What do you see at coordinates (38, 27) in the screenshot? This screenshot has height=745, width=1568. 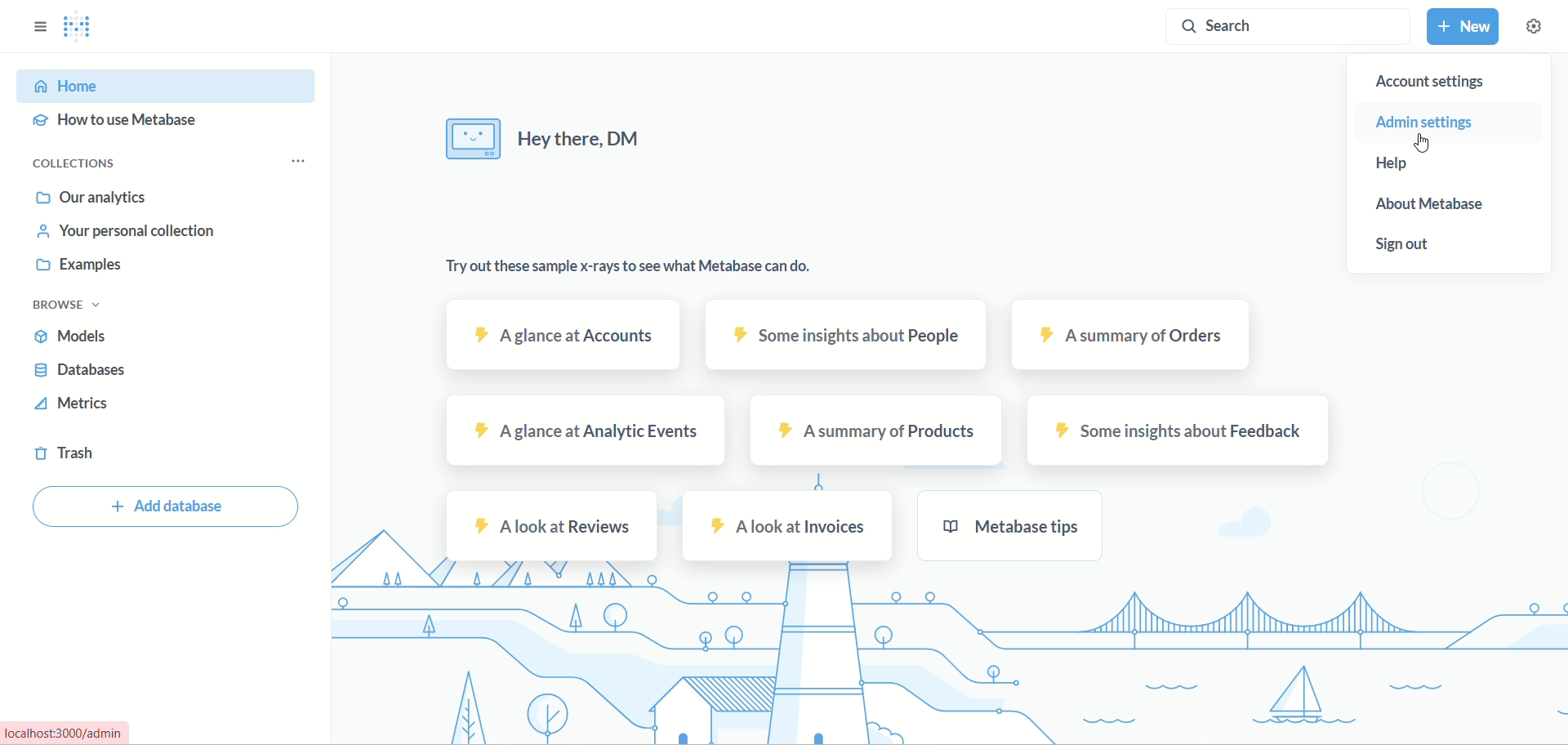 I see `sidebar` at bounding box center [38, 27].